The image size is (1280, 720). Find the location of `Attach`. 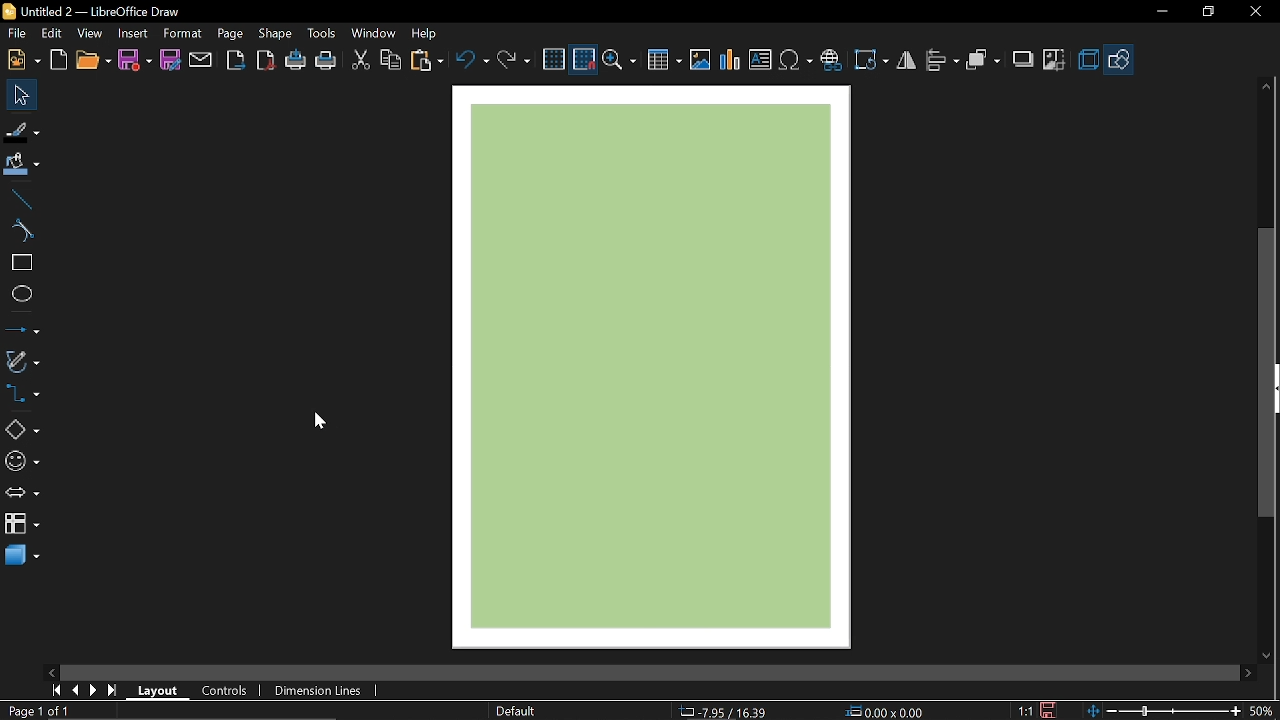

Attach is located at coordinates (202, 59).